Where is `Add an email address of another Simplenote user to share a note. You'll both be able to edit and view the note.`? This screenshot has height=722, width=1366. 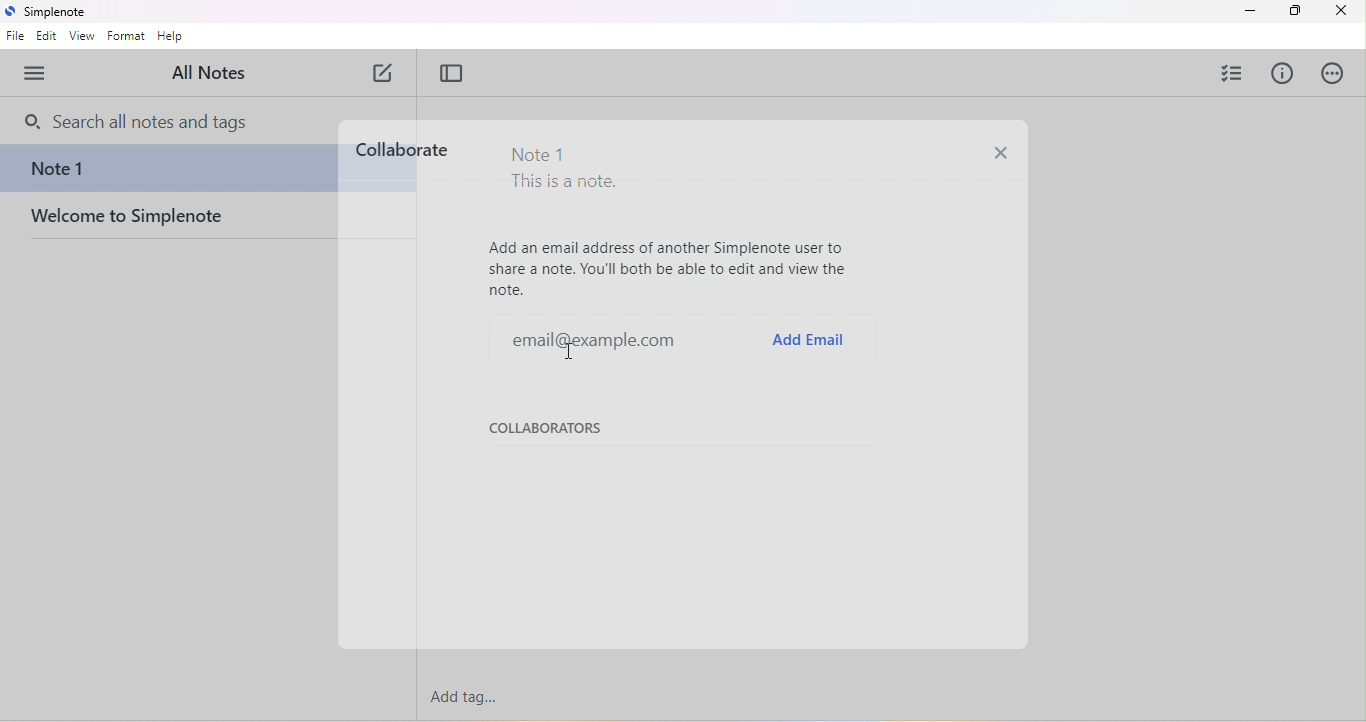 Add an email address of another Simplenote user to share a note. You'll both be able to edit and view the note. is located at coordinates (670, 268).